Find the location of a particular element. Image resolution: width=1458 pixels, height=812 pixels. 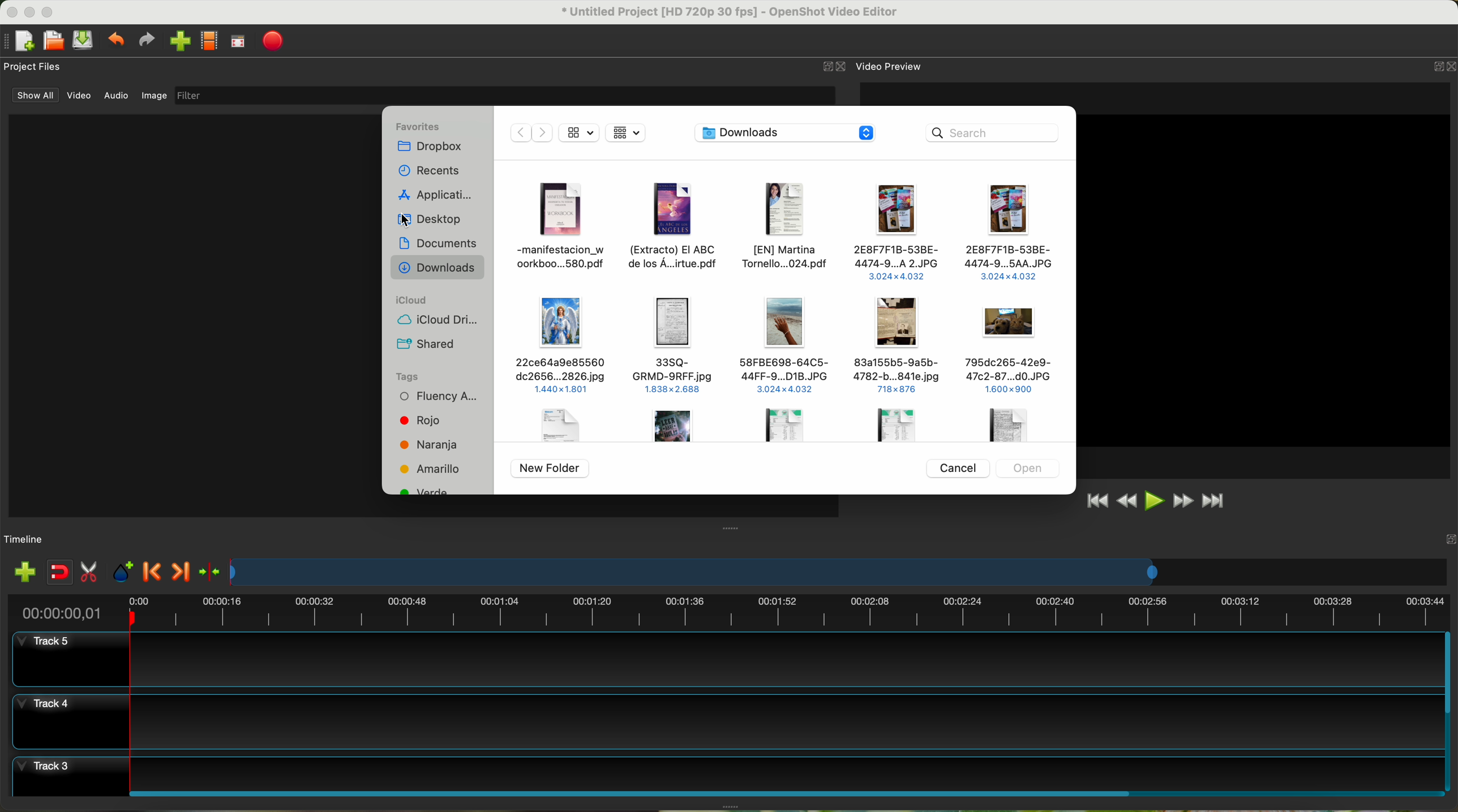

choose profile is located at coordinates (209, 41).